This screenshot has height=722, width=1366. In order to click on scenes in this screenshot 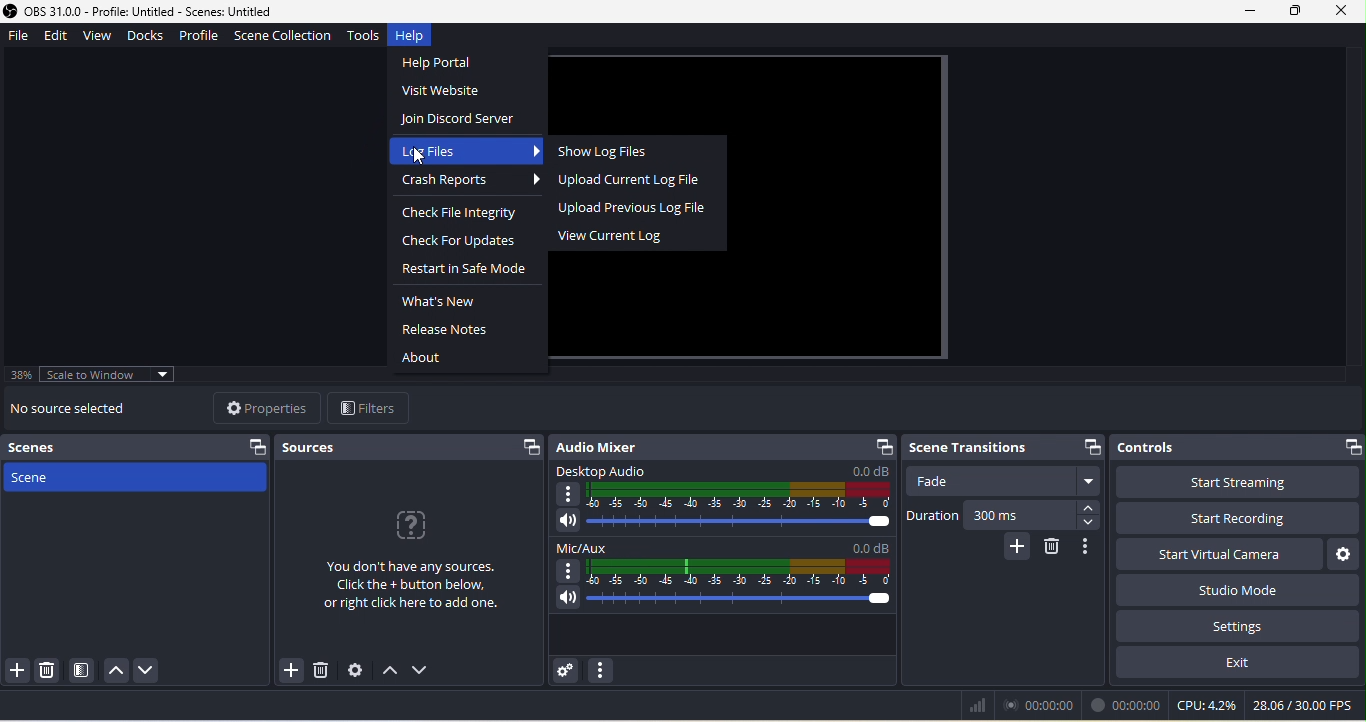, I will do `click(140, 447)`.